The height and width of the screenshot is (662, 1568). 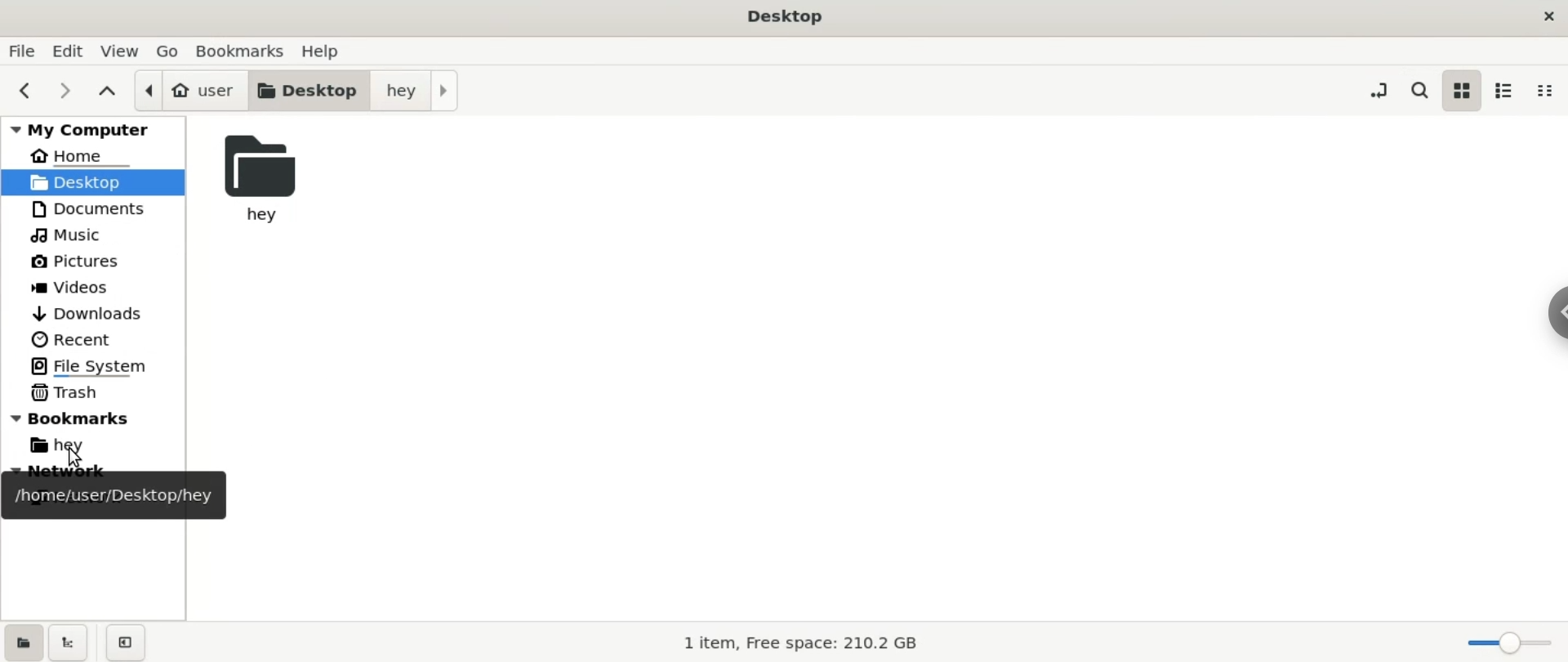 I want to click on hey, so click(x=425, y=89).